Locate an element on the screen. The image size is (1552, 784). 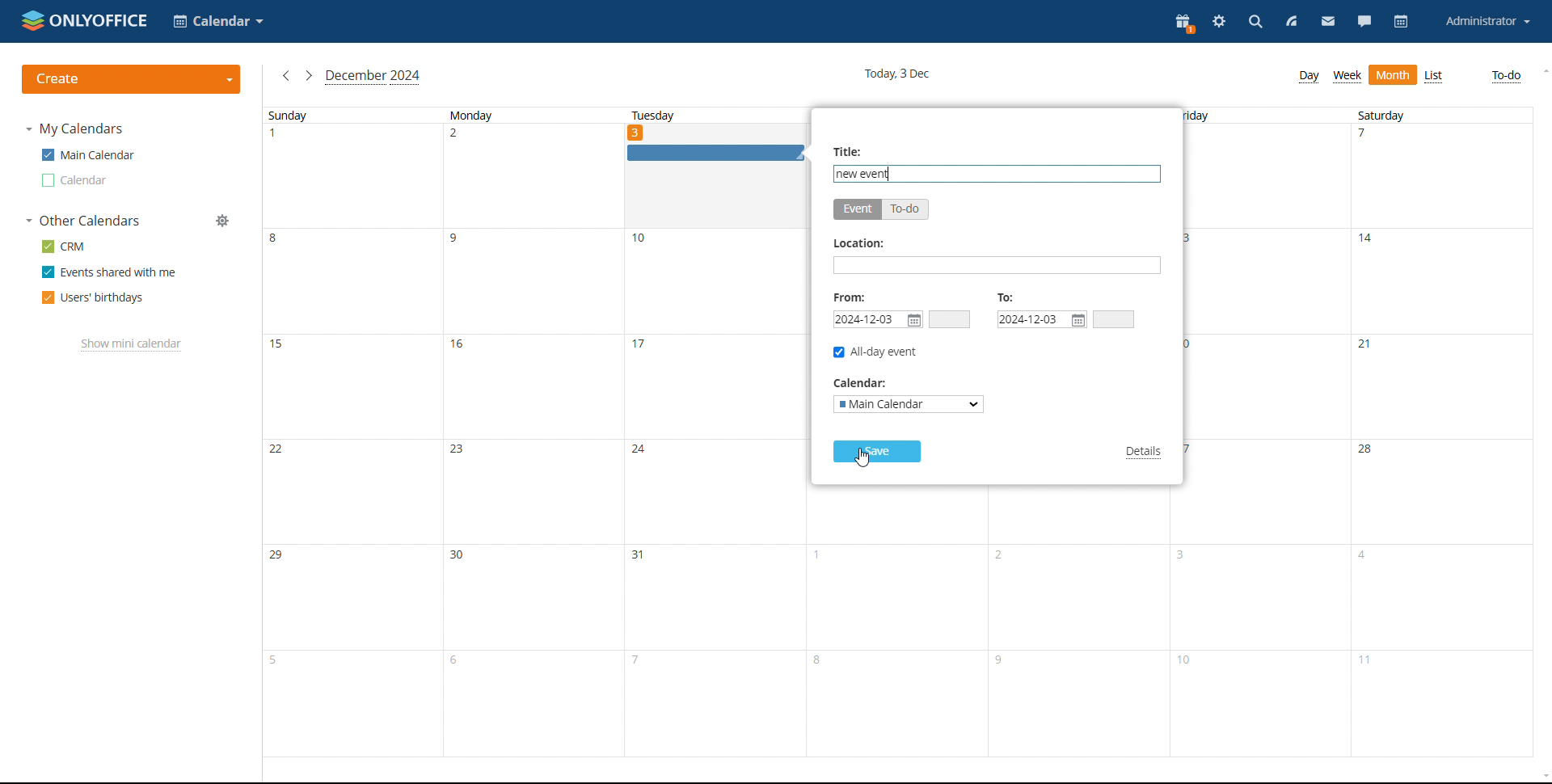
start time is located at coordinates (949, 319).